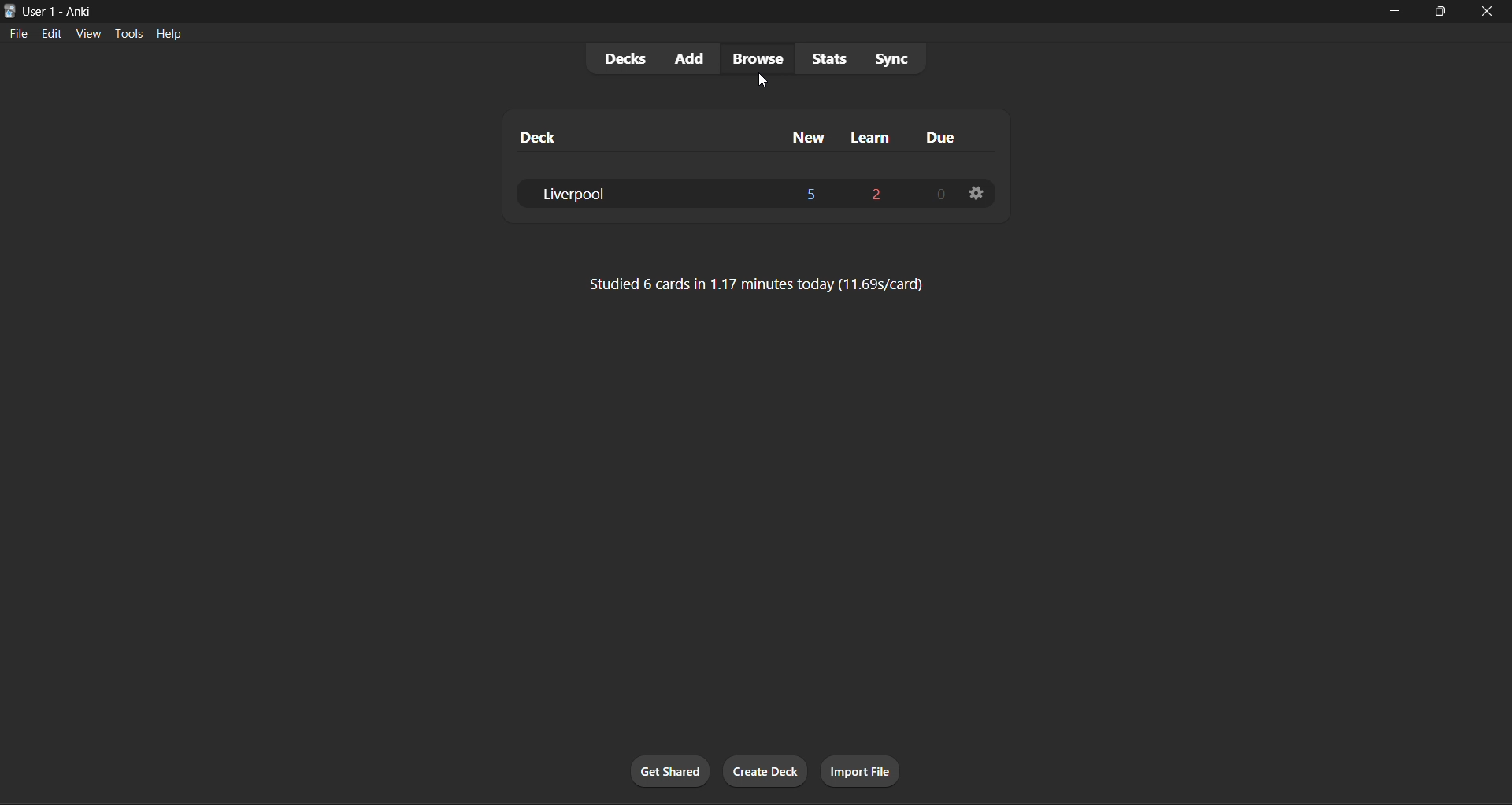  What do you see at coordinates (689, 10) in the screenshot?
I see `title bar` at bounding box center [689, 10].